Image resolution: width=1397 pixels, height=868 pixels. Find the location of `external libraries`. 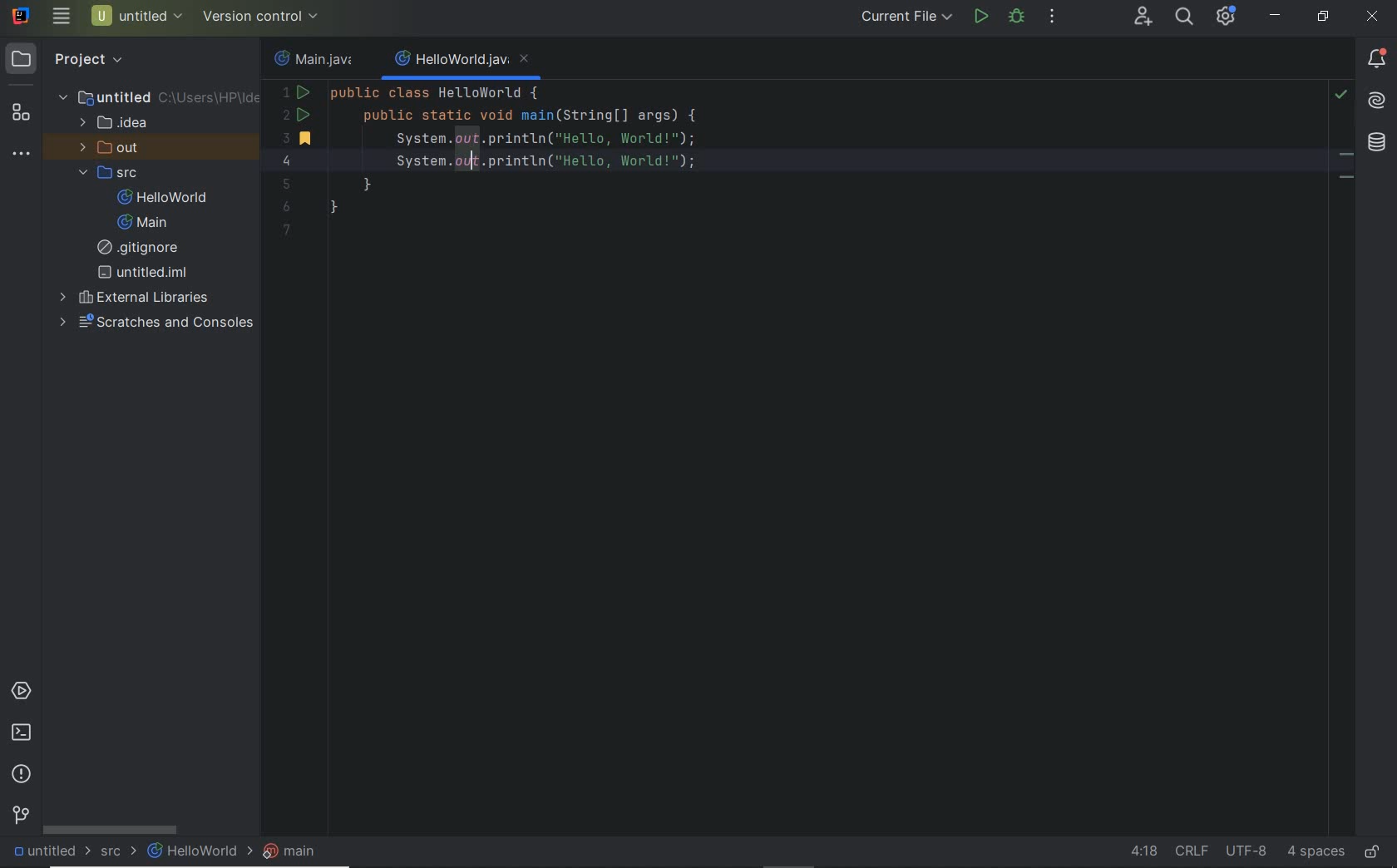

external libraries is located at coordinates (136, 296).